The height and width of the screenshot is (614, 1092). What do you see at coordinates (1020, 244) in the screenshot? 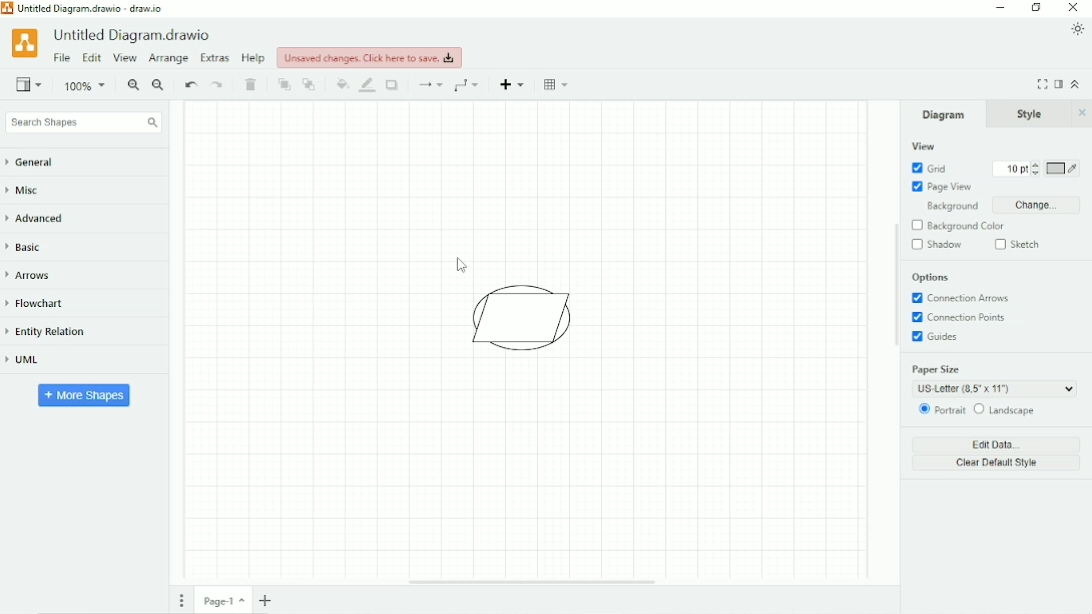
I see `Sketch` at bounding box center [1020, 244].